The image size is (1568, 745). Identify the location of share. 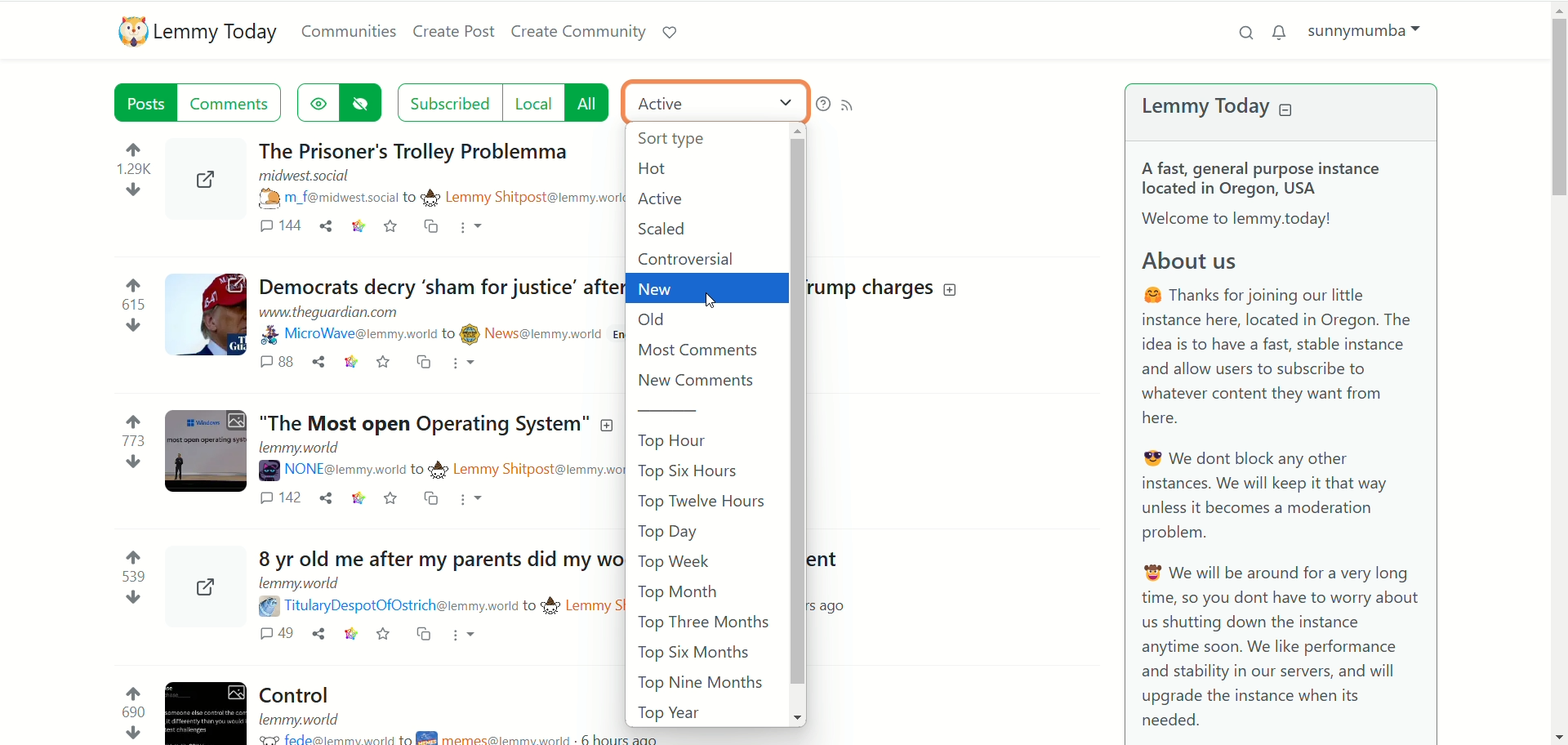
(326, 226).